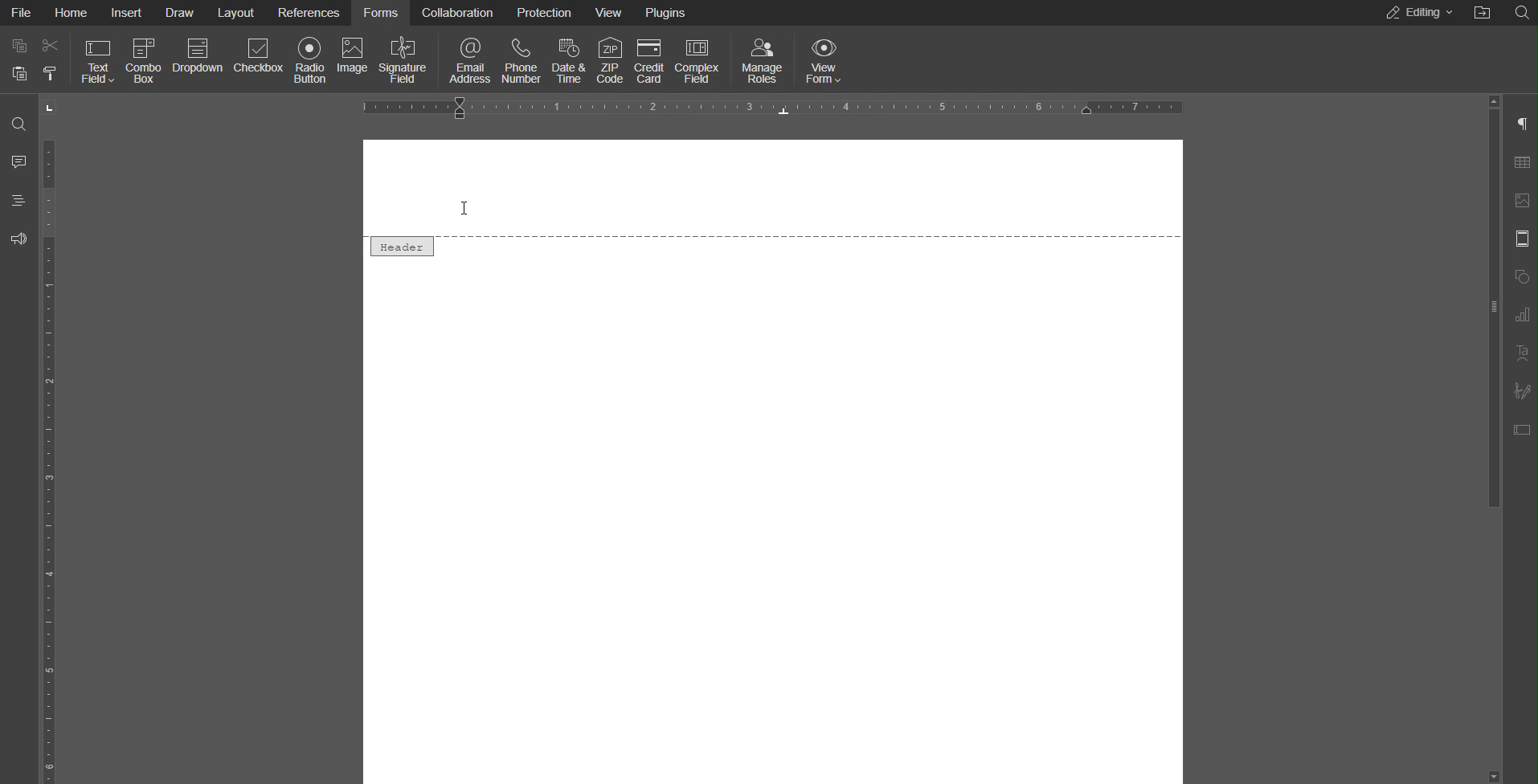 Image resolution: width=1538 pixels, height=784 pixels. Describe the element at coordinates (609, 59) in the screenshot. I see `Zip Code` at that location.